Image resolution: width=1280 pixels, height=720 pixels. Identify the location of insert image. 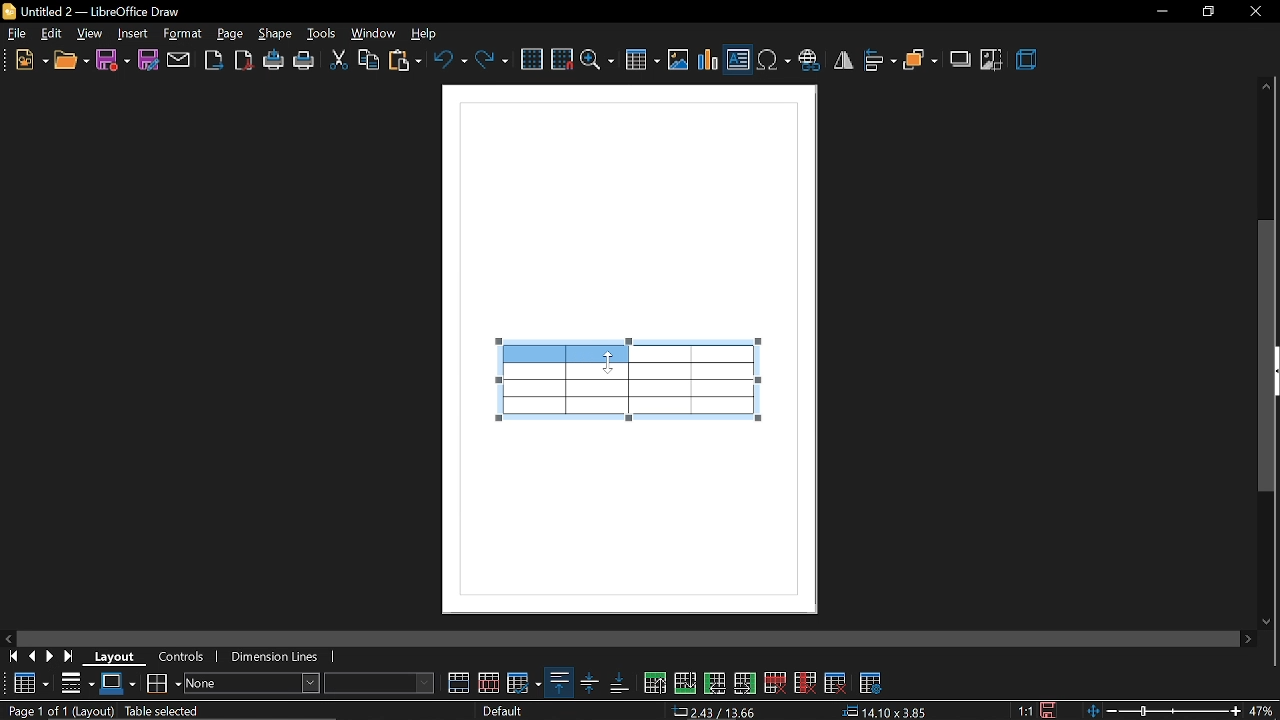
(677, 58).